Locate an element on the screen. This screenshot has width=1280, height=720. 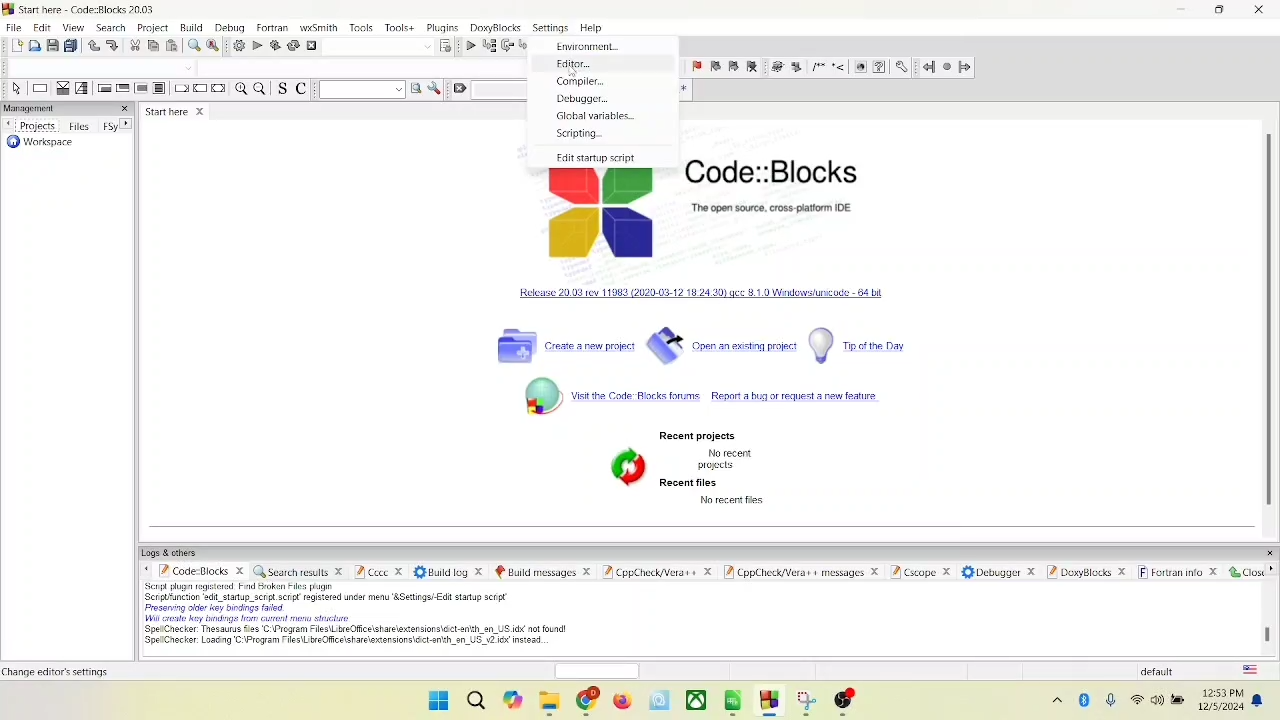
copy is located at coordinates (152, 45).